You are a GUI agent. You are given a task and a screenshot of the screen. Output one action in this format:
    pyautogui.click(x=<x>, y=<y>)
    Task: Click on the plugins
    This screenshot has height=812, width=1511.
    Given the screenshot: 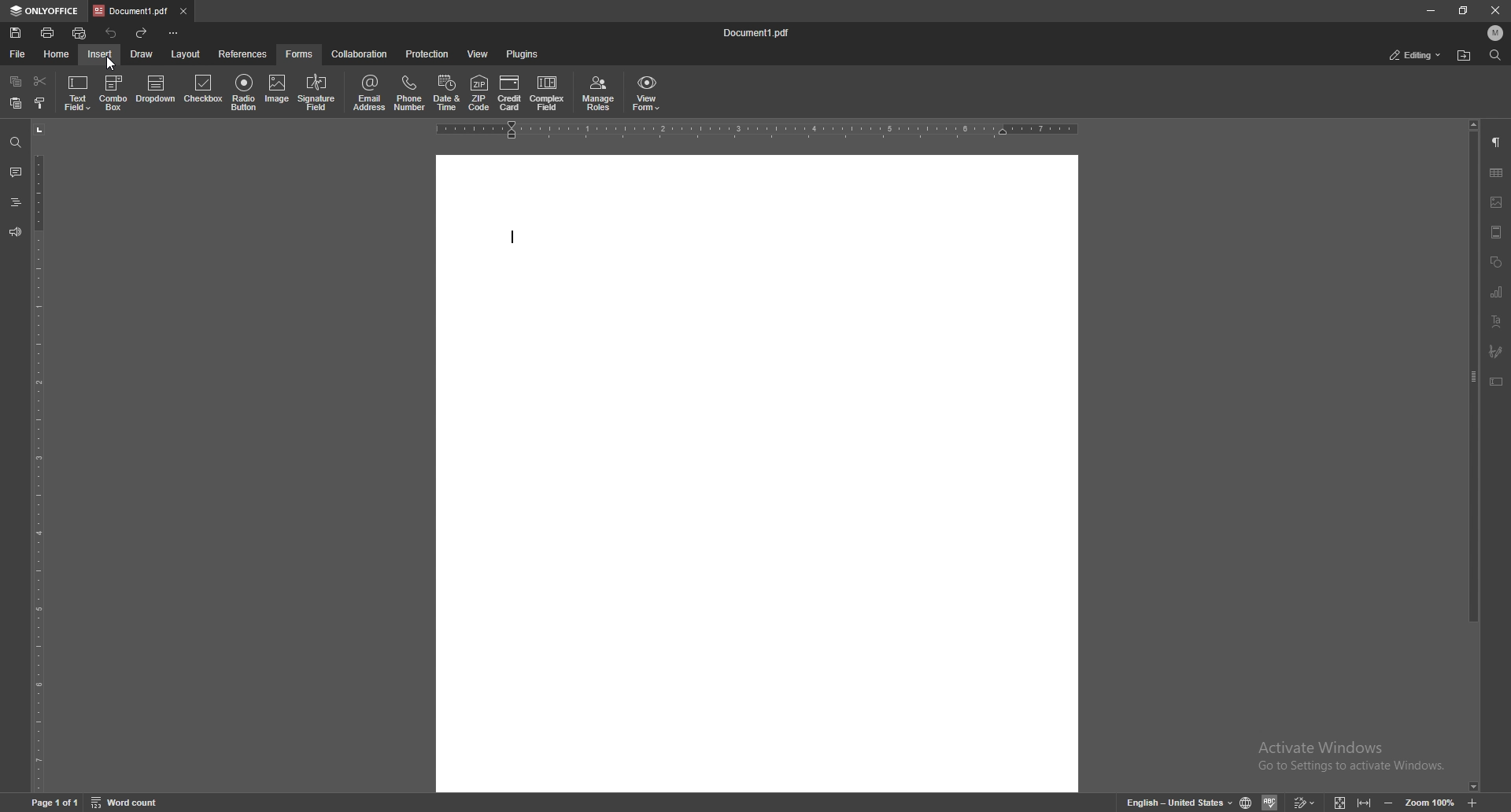 What is the action you would take?
    pyautogui.click(x=522, y=54)
    